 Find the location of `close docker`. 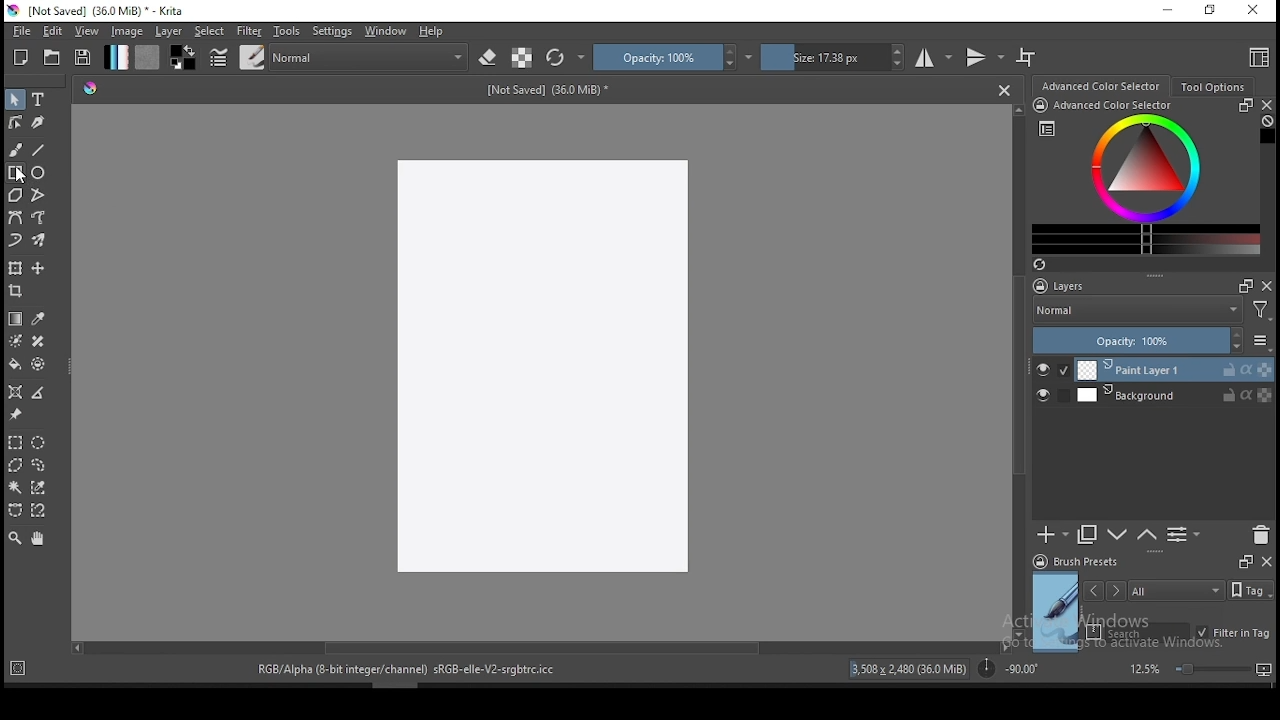

close docker is located at coordinates (1266, 560).